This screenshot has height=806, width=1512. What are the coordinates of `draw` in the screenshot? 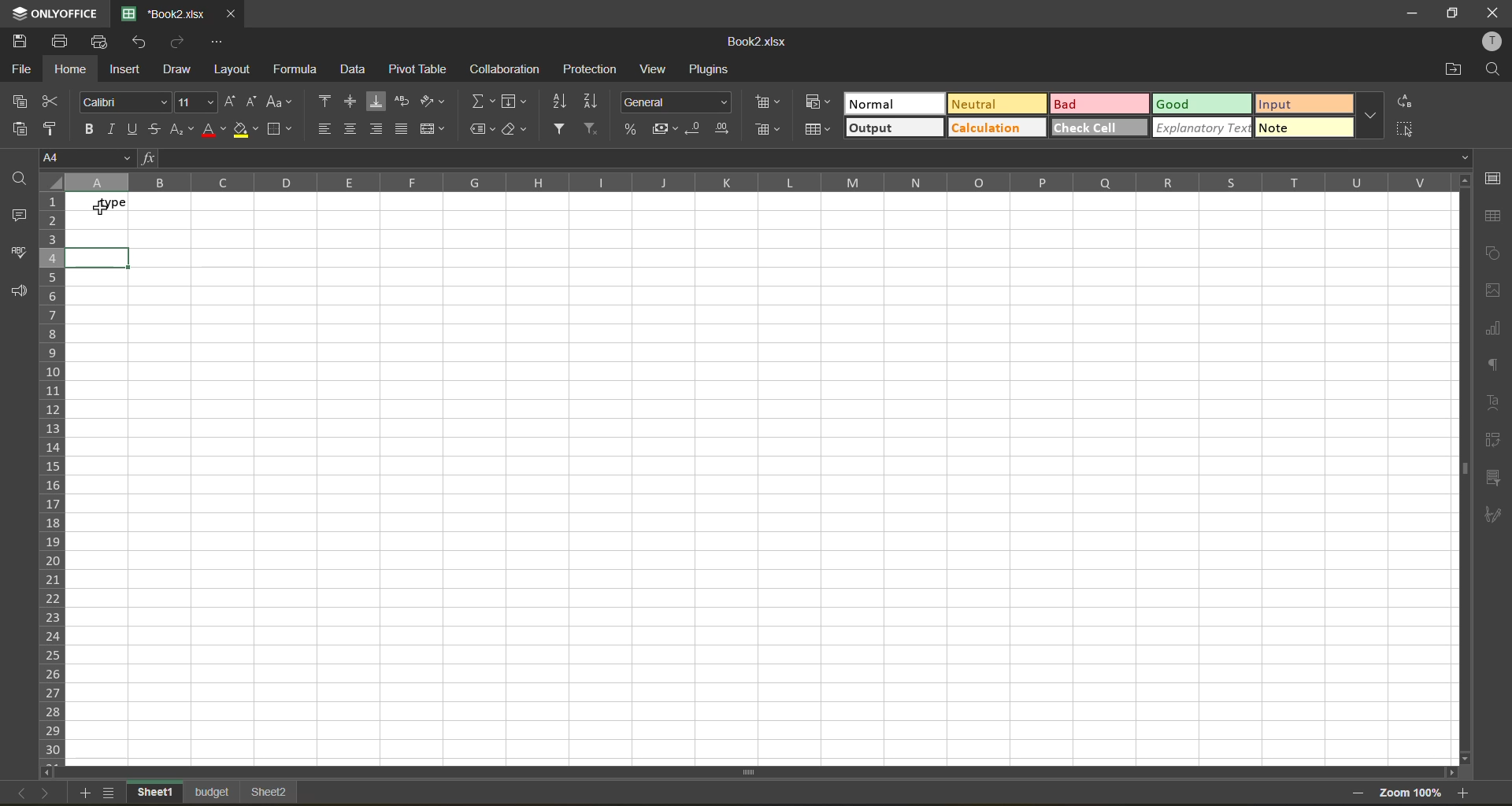 It's located at (174, 70).